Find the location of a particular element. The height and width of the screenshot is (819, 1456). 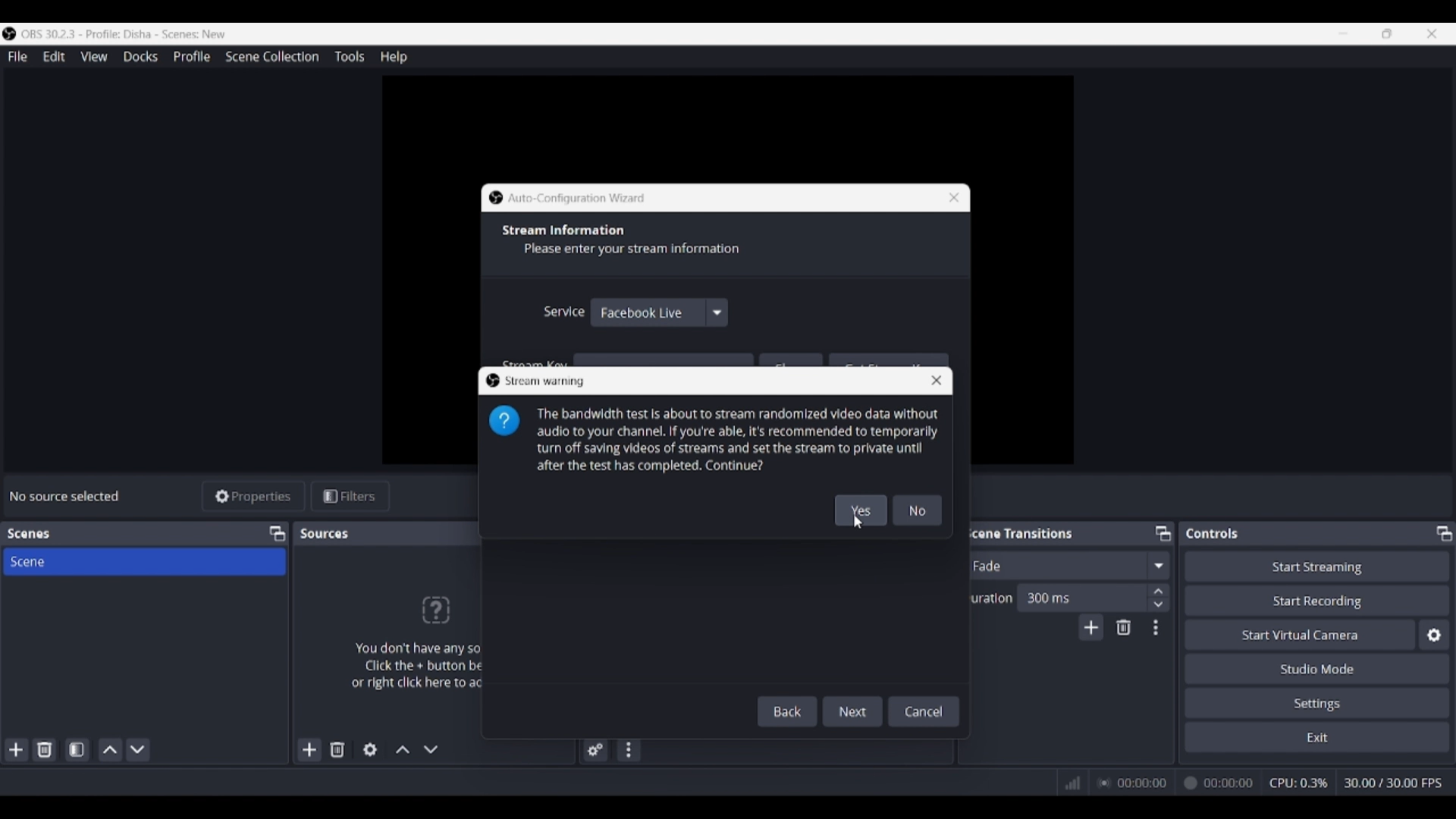

Window title is located at coordinates (577, 199).